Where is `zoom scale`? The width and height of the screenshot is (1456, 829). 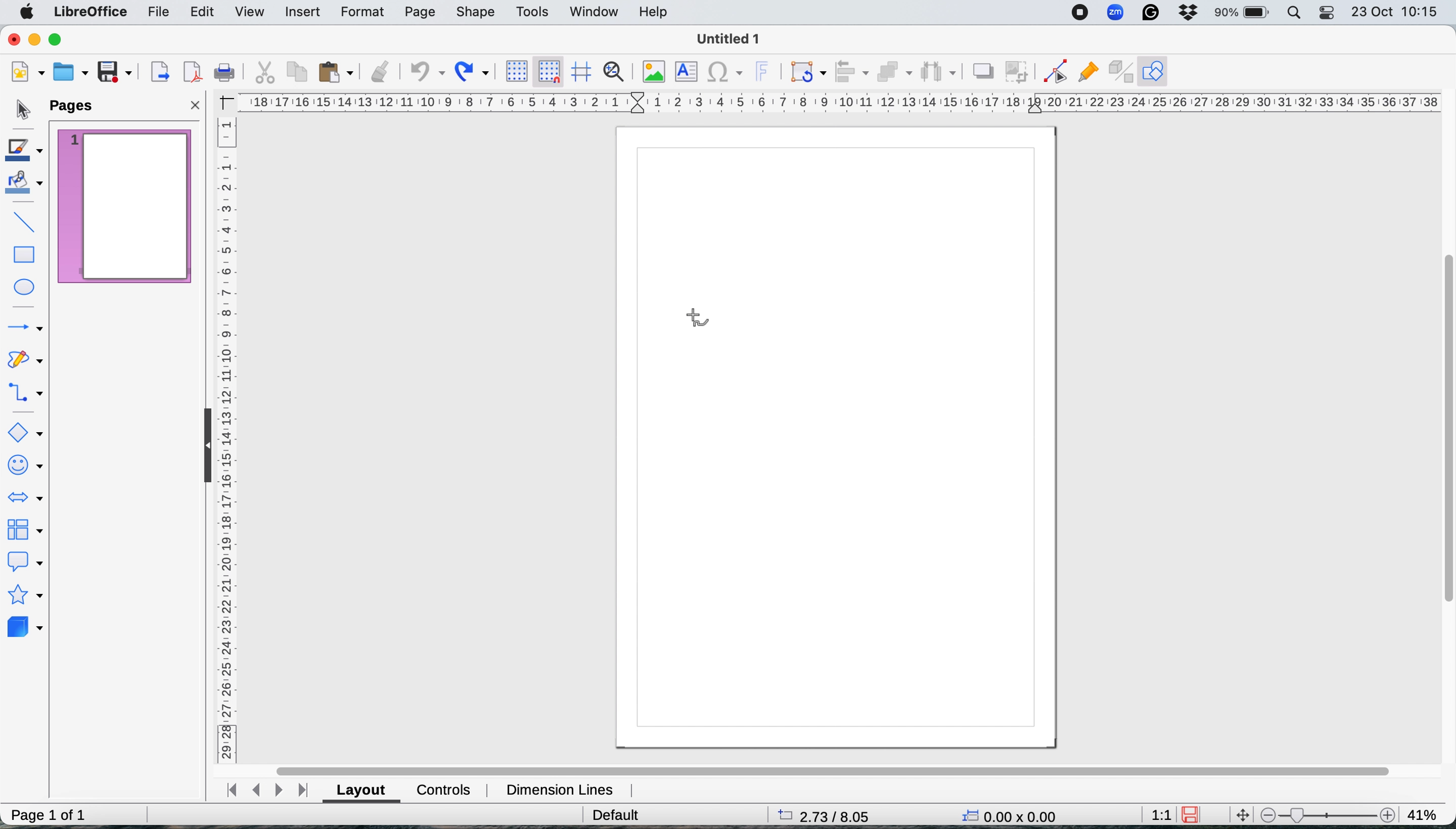 zoom scale is located at coordinates (1330, 813).